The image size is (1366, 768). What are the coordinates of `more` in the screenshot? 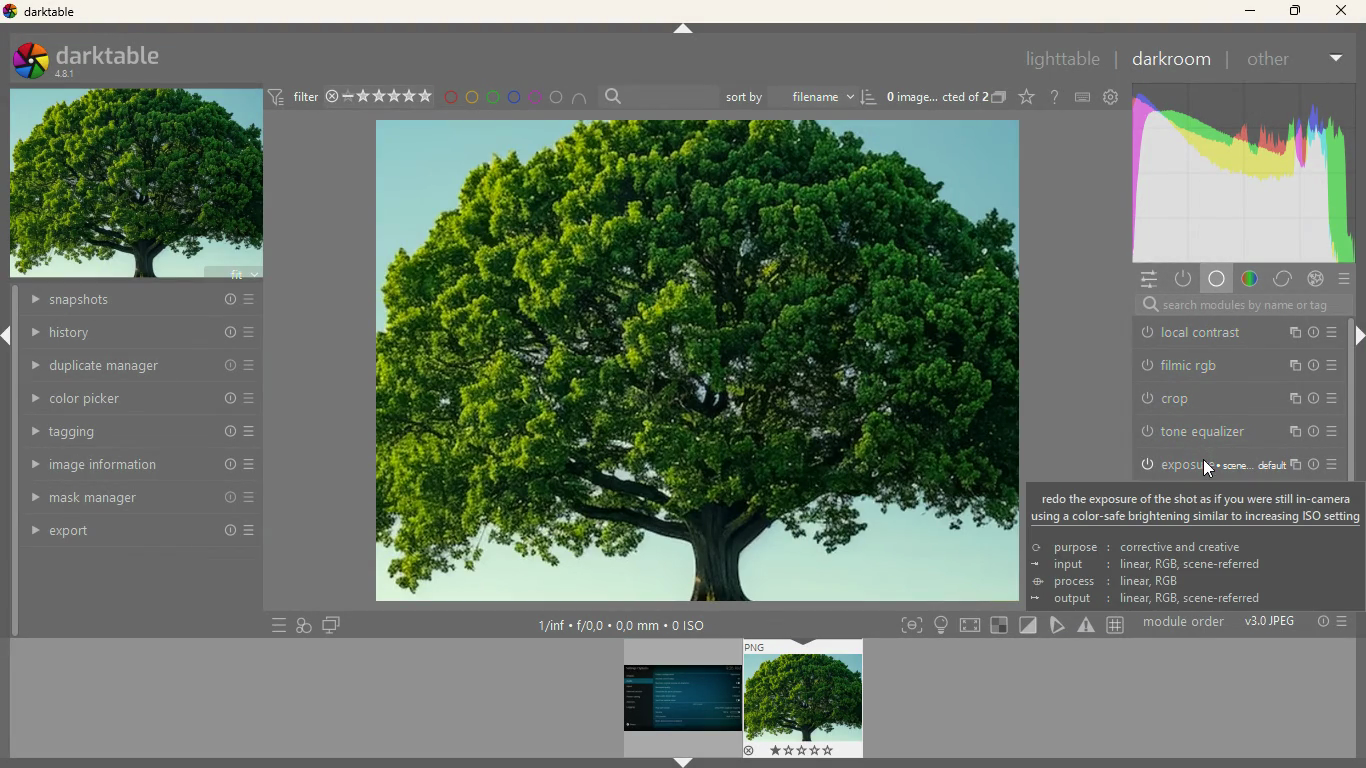 It's located at (1340, 59).